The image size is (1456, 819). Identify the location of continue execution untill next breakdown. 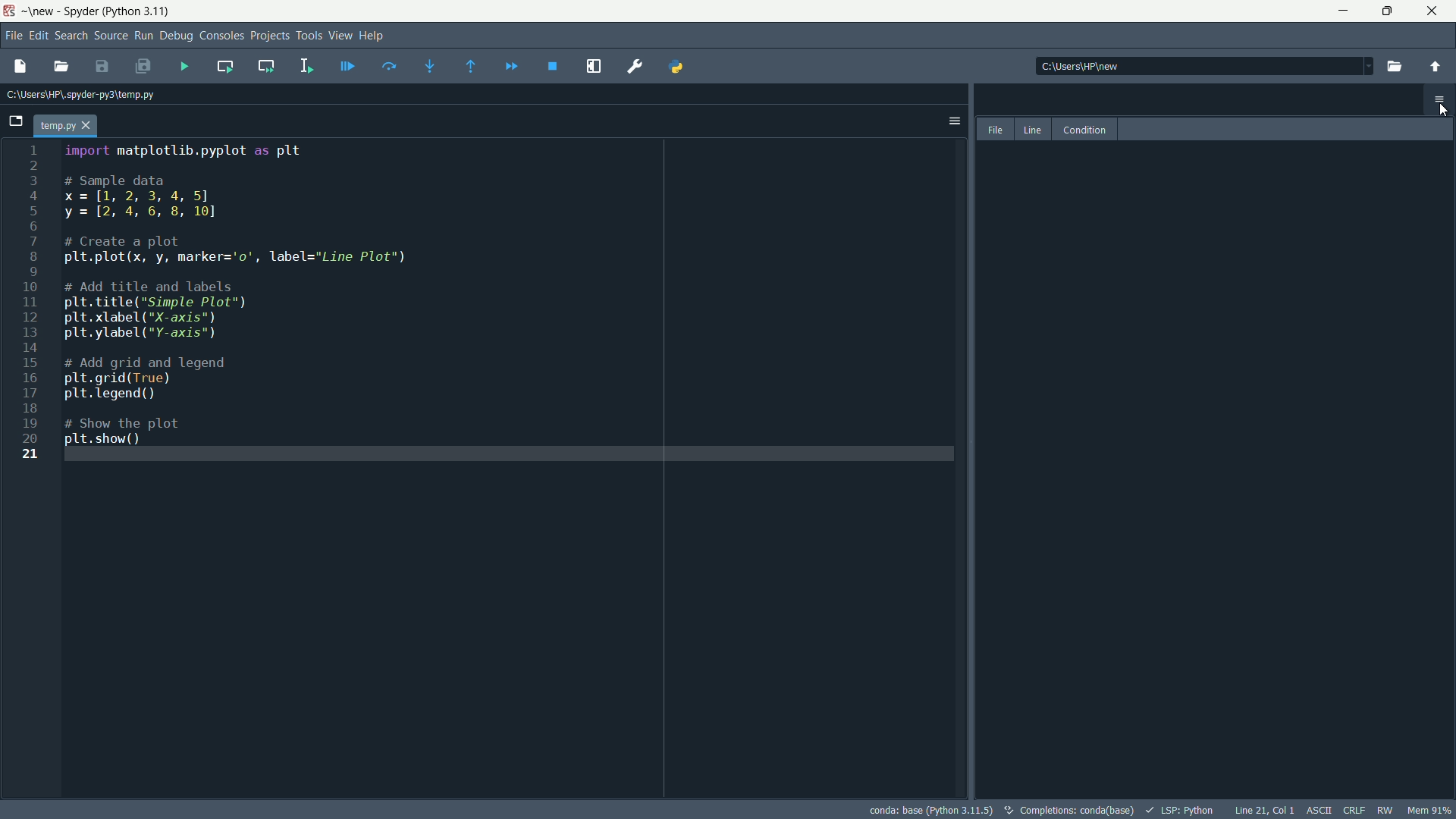
(508, 65).